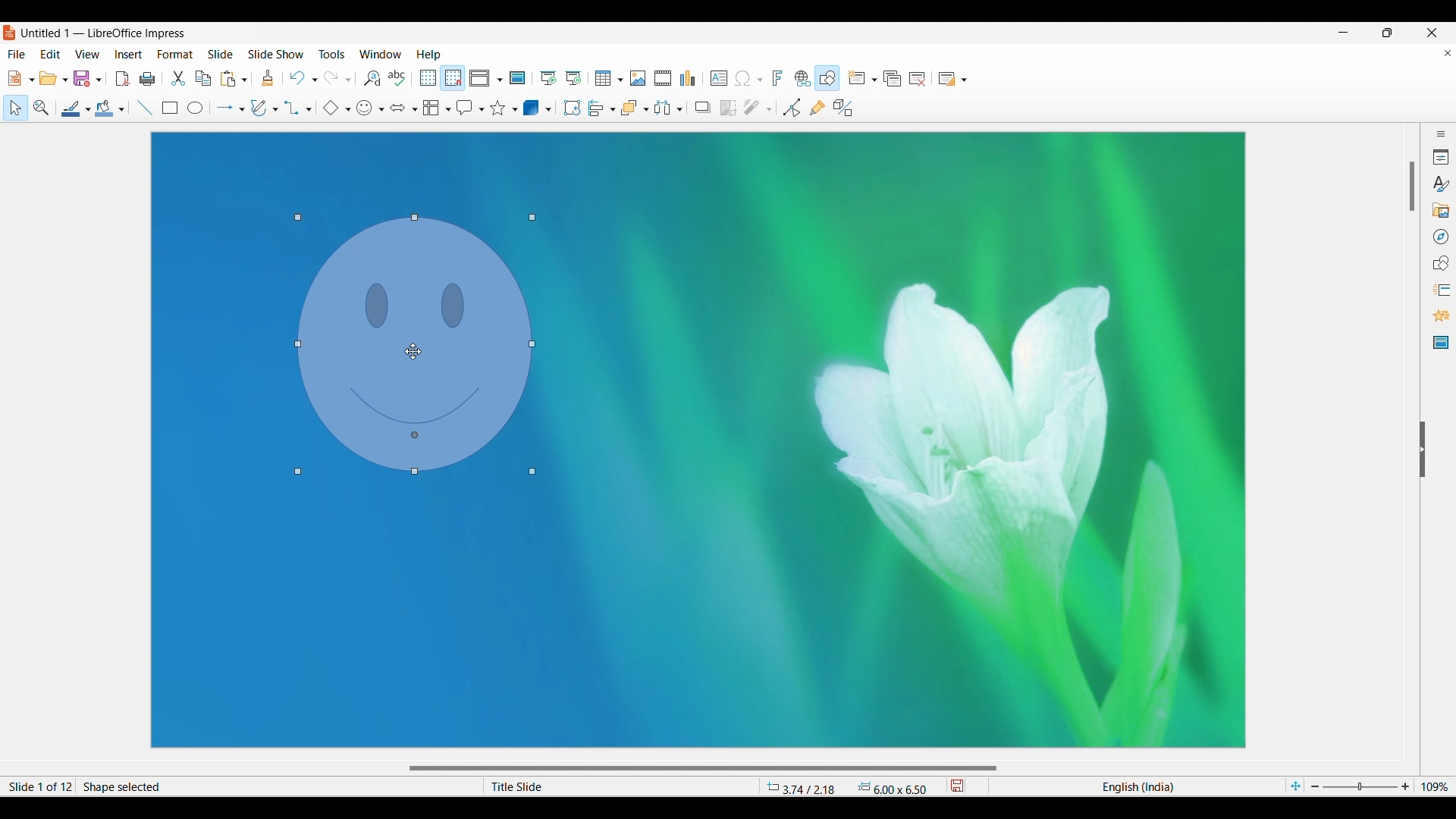 This screenshot has height=819, width=1456. Describe the element at coordinates (71, 108) in the screenshot. I see `Line color selected` at that location.